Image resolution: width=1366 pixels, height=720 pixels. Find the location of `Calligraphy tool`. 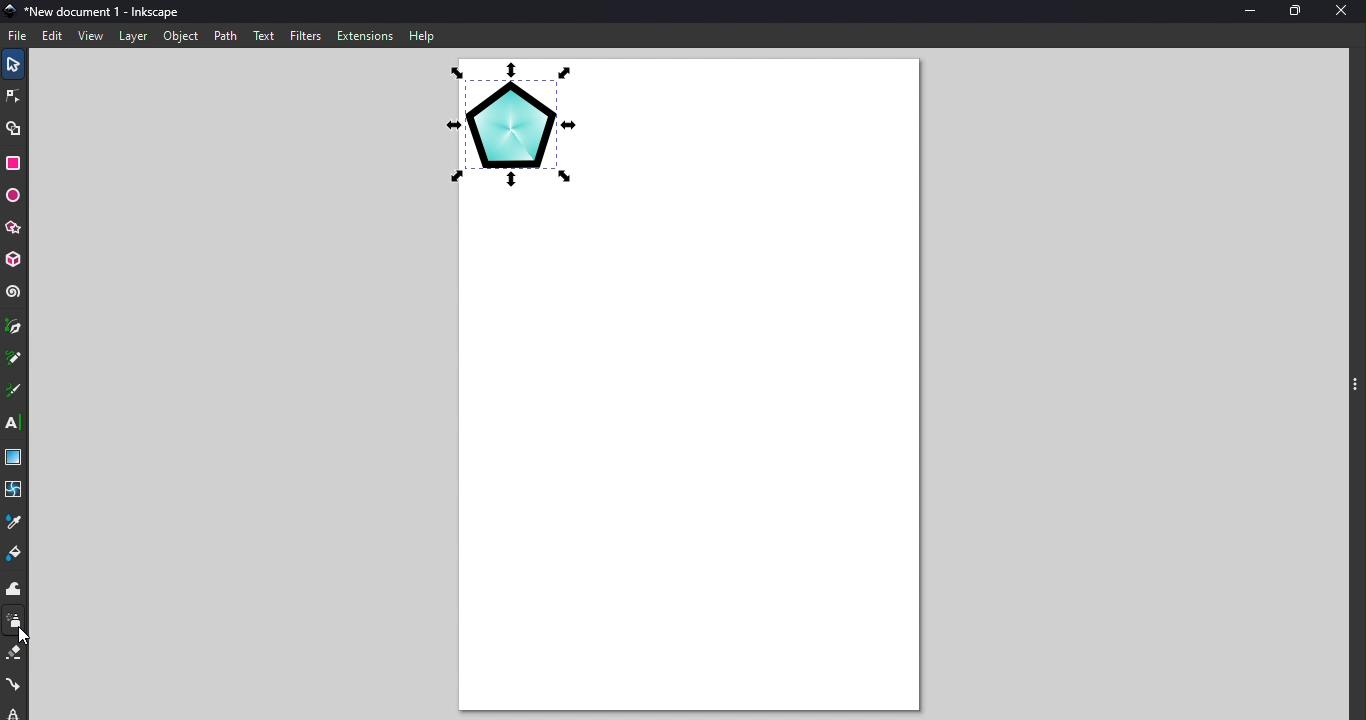

Calligraphy tool is located at coordinates (13, 390).